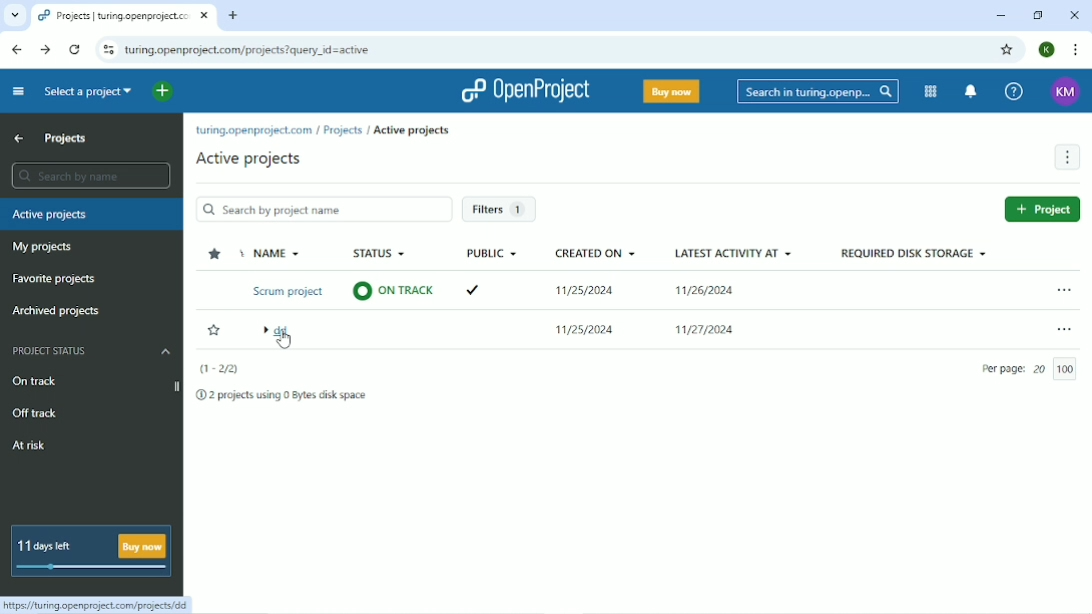  Describe the element at coordinates (599, 252) in the screenshot. I see `Created on` at that location.